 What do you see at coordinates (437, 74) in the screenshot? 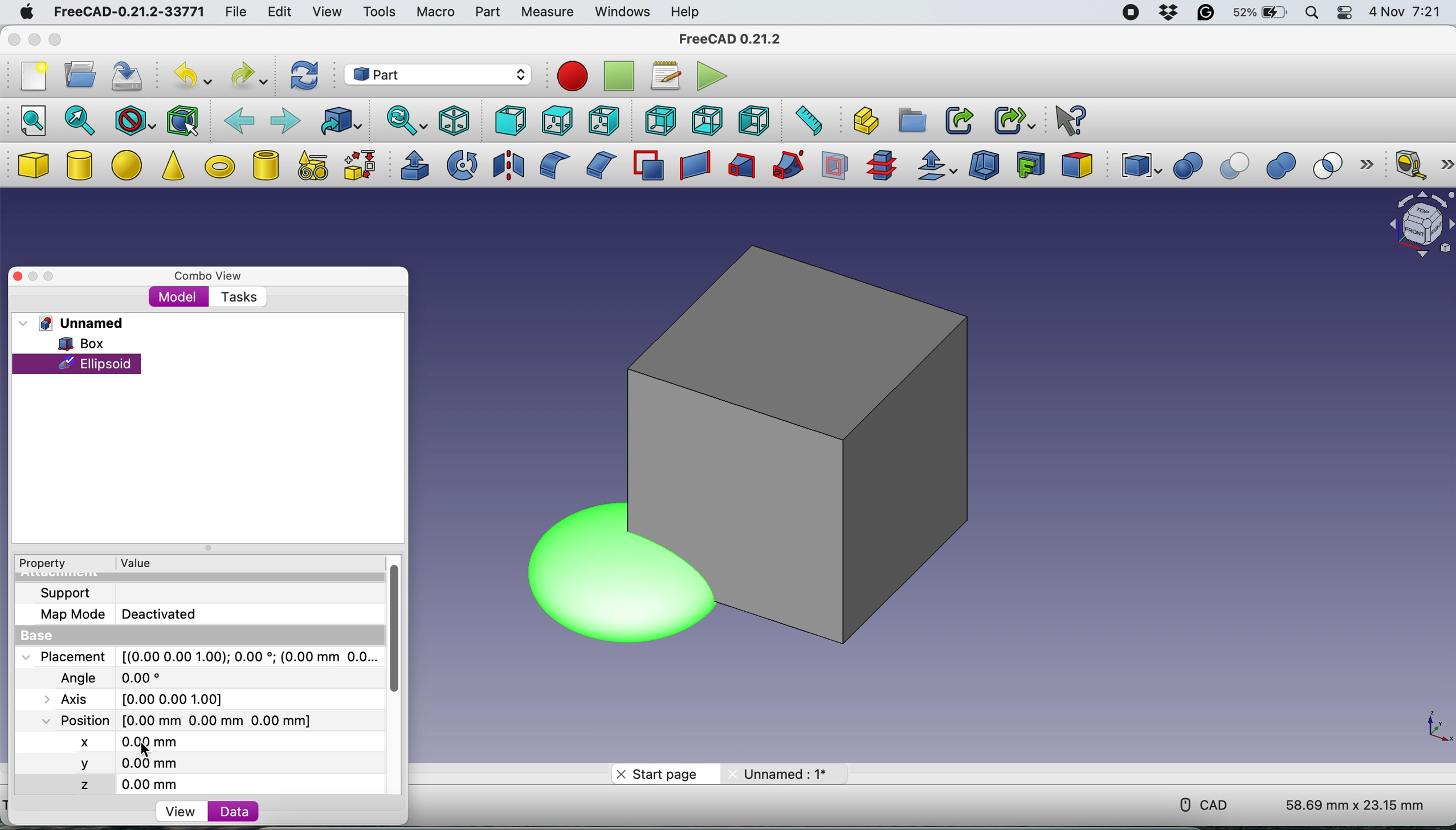
I see `workbench` at bounding box center [437, 74].